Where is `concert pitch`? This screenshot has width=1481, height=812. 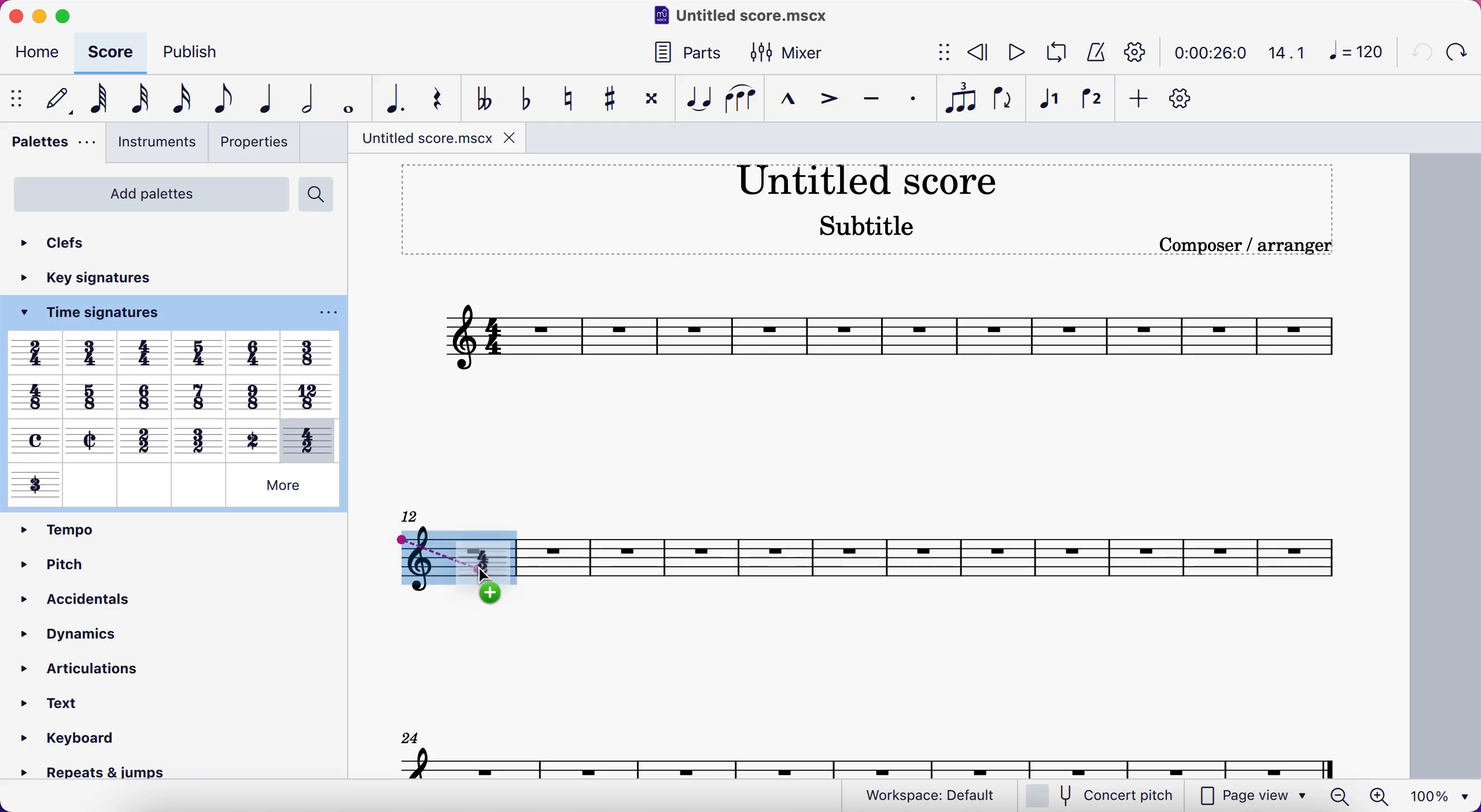
concert pitch is located at coordinates (1099, 795).